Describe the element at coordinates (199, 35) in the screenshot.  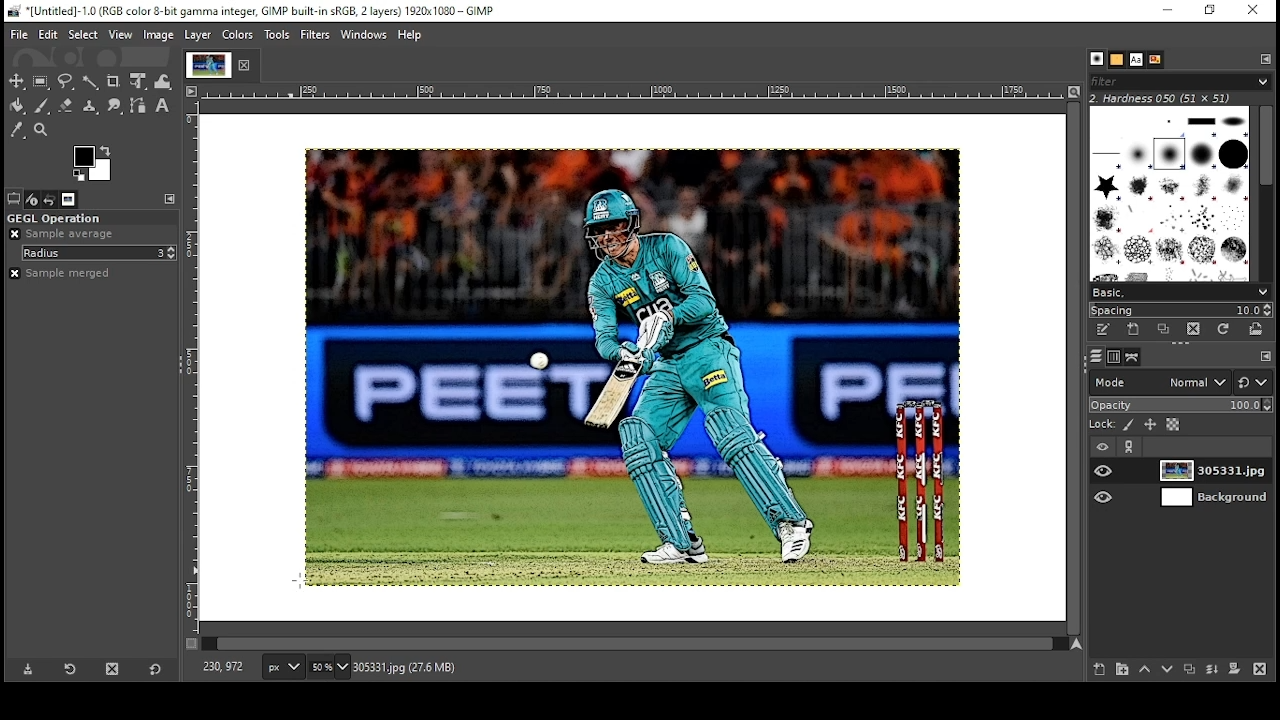
I see `layer` at that location.